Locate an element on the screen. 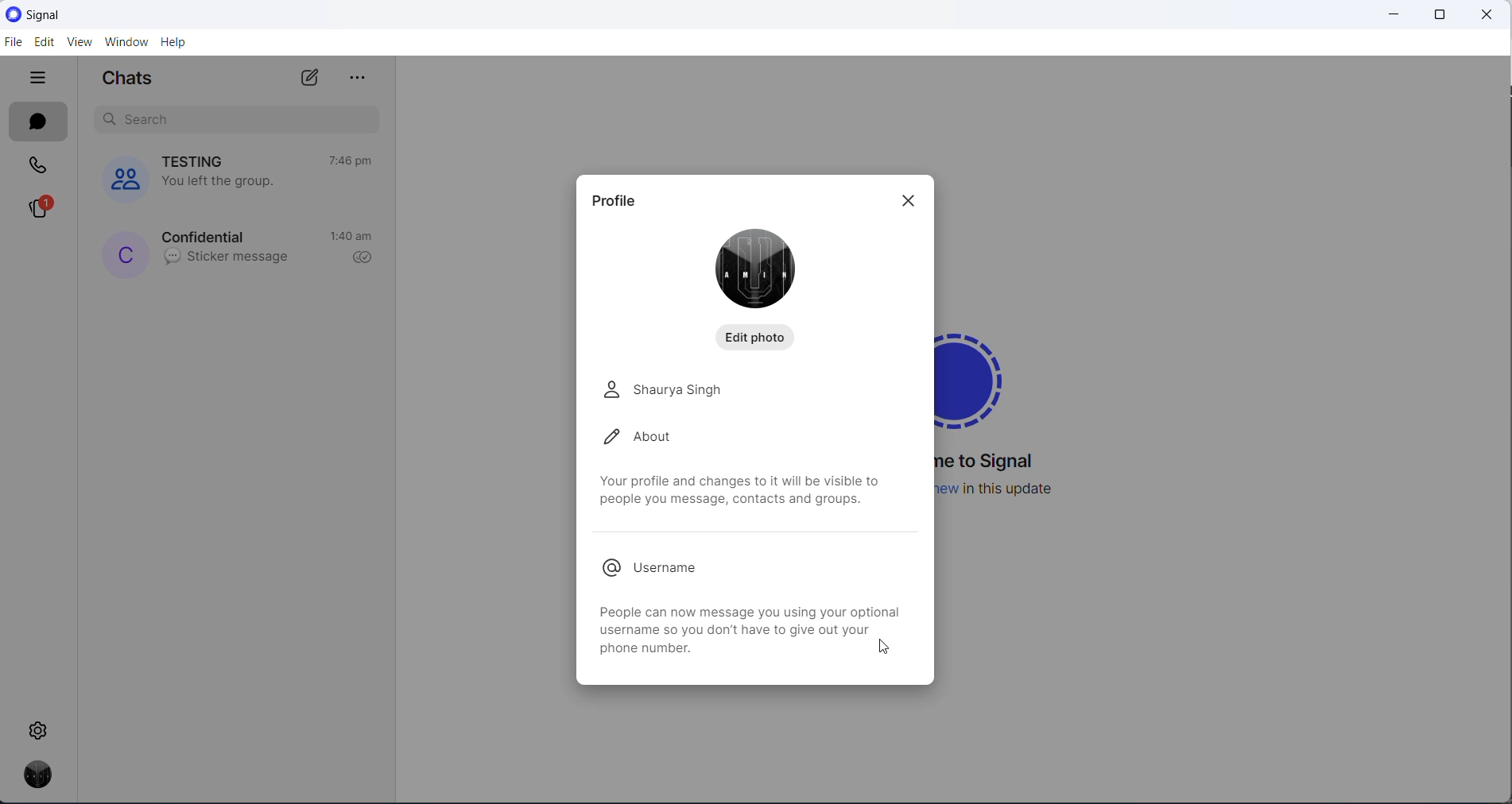 Image resolution: width=1512 pixels, height=804 pixels. about heading is located at coordinates (665, 436).